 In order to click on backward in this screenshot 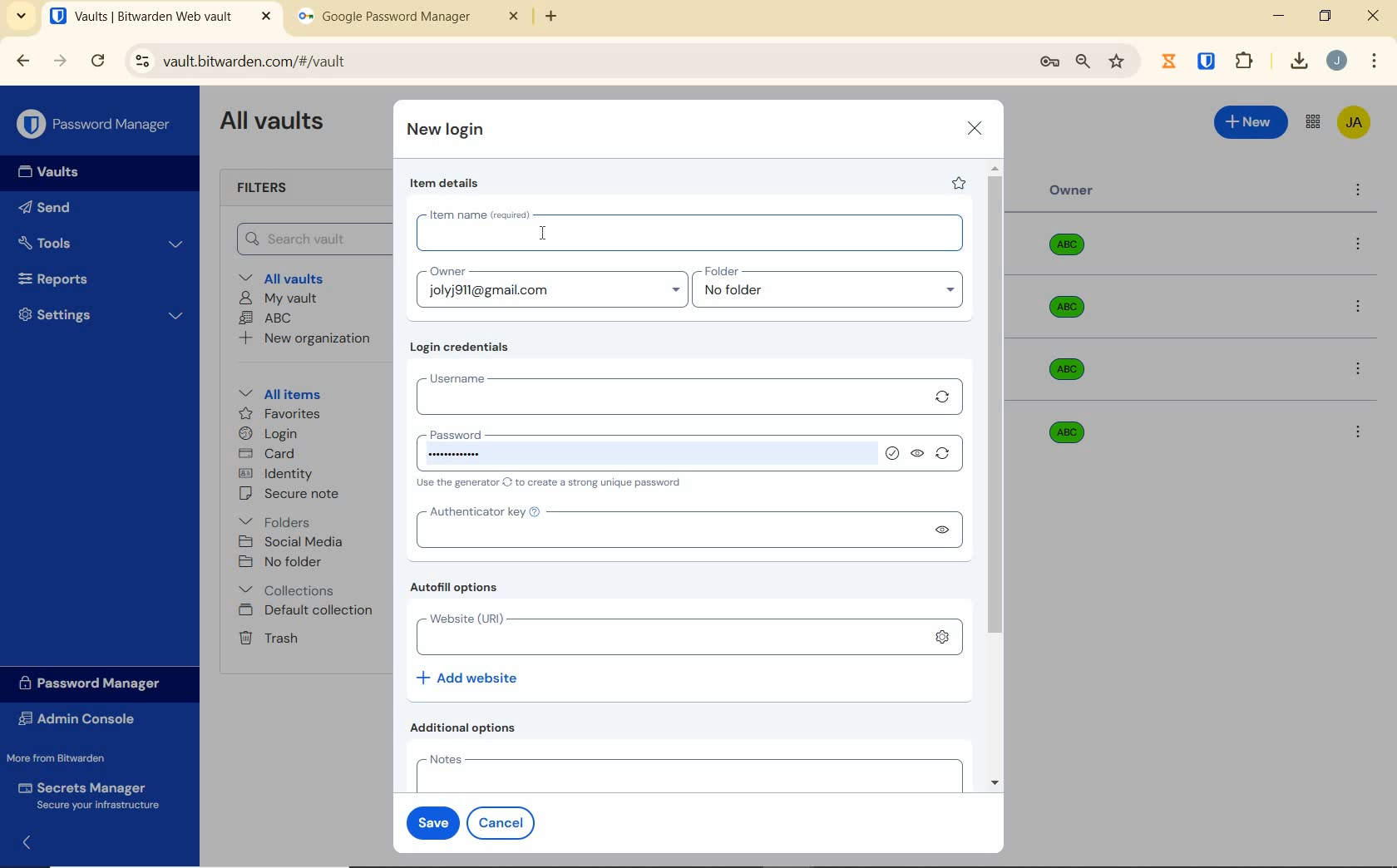, I will do `click(22, 61)`.